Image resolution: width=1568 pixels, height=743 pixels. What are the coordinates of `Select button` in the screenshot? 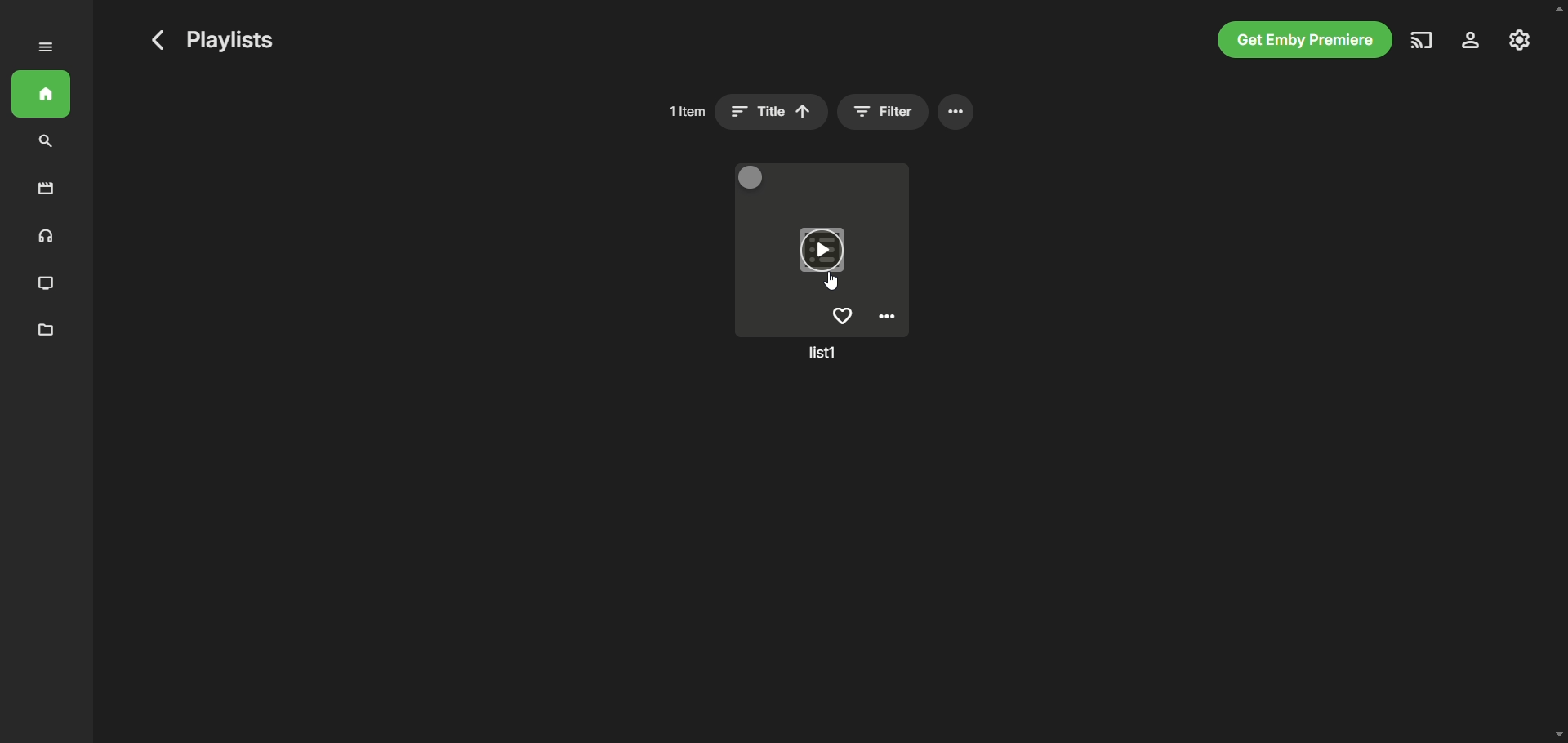 It's located at (751, 176).